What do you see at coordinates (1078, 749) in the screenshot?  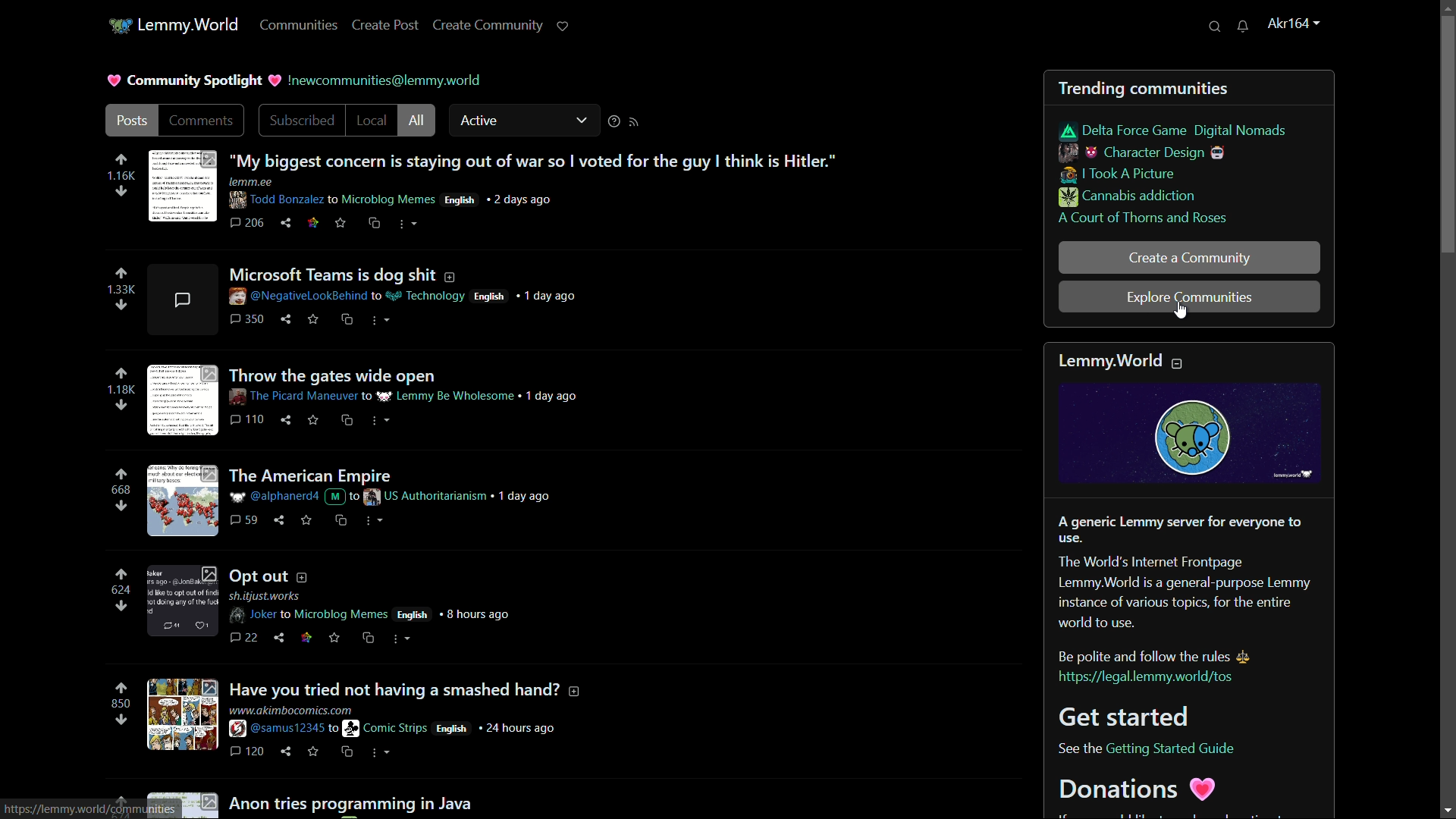 I see `text` at bounding box center [1078, 749].